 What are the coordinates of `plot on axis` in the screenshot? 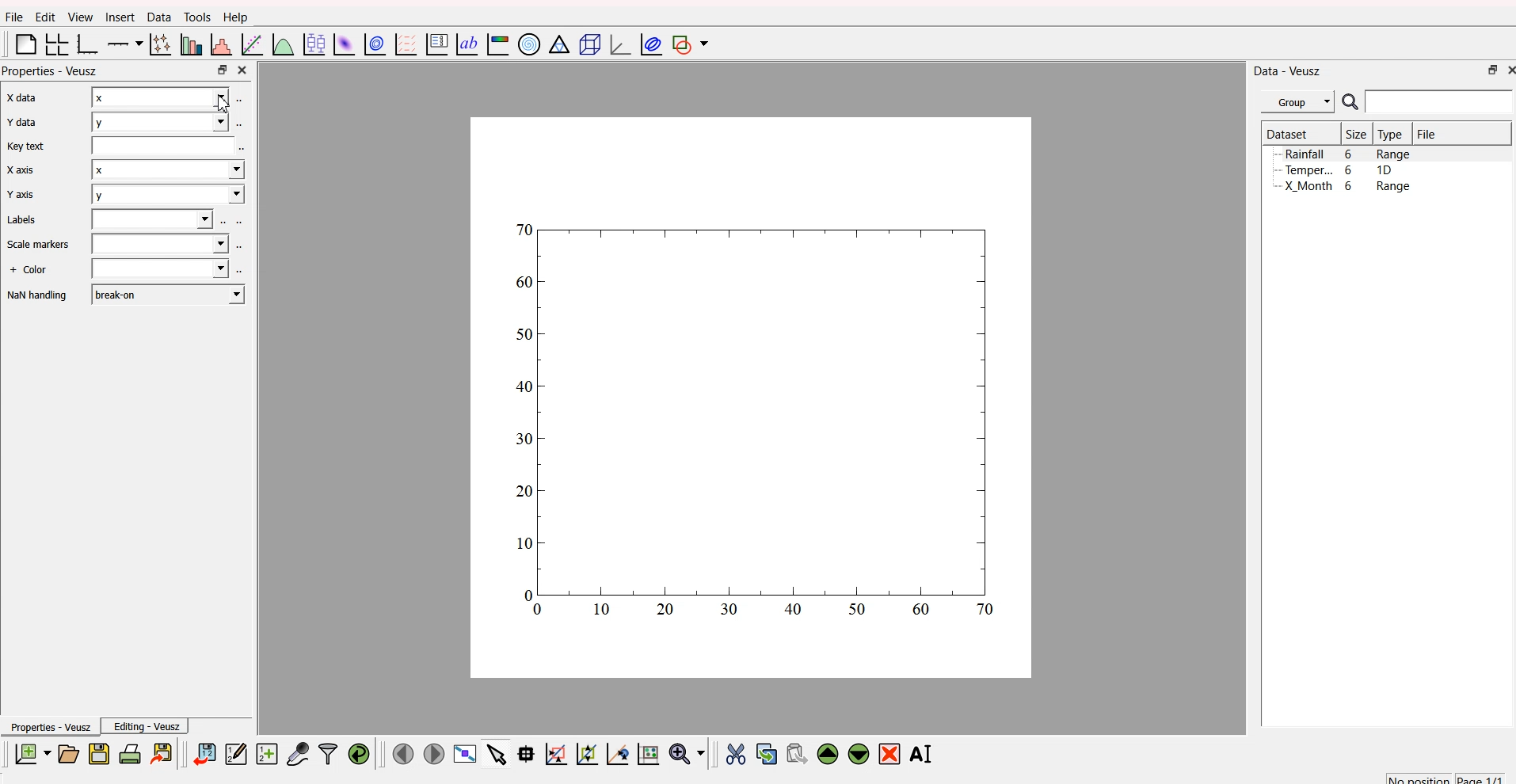 It's located at (126, 43).